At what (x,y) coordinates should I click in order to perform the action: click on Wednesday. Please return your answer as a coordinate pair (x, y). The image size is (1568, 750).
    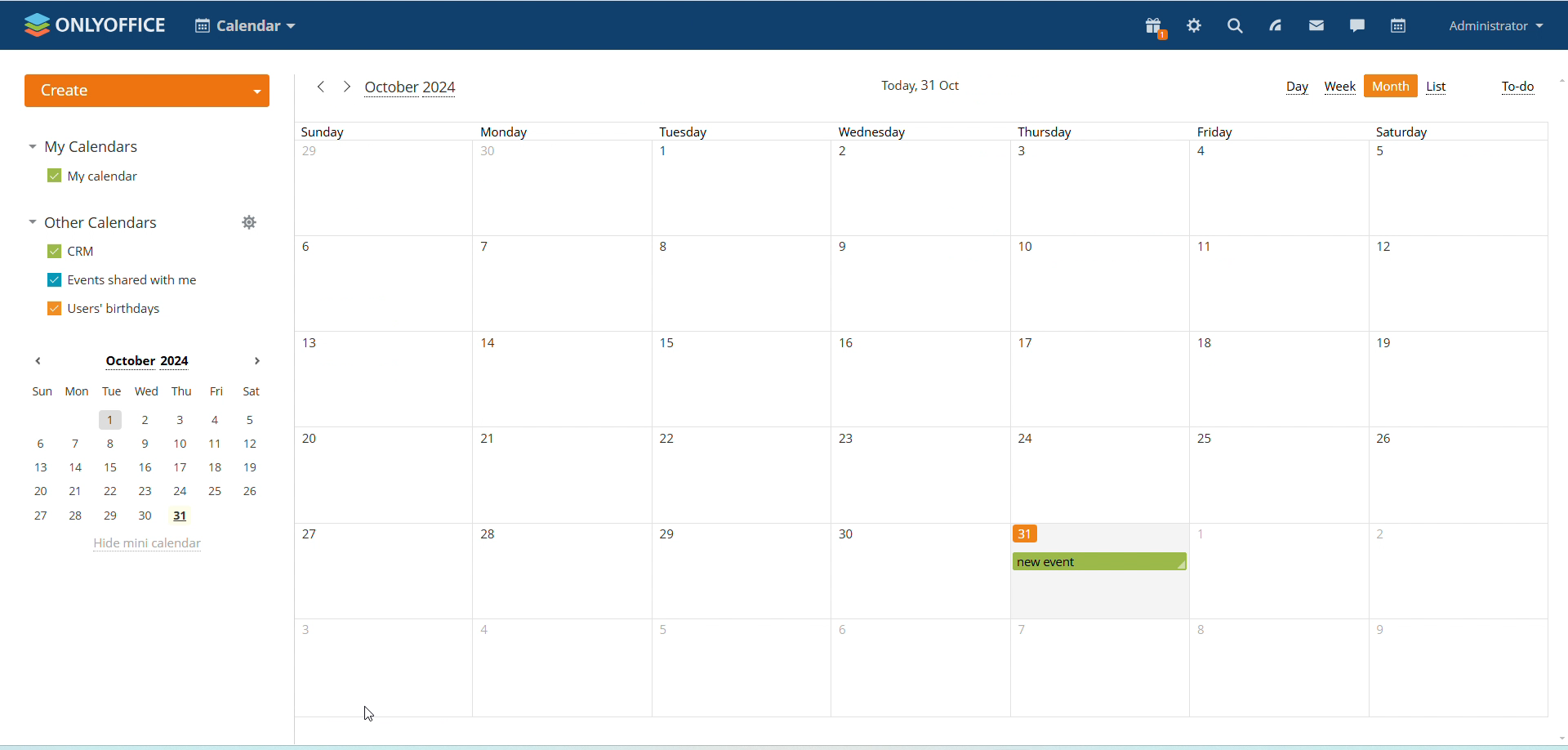
    Looking at the image, I should click on (915, 420).